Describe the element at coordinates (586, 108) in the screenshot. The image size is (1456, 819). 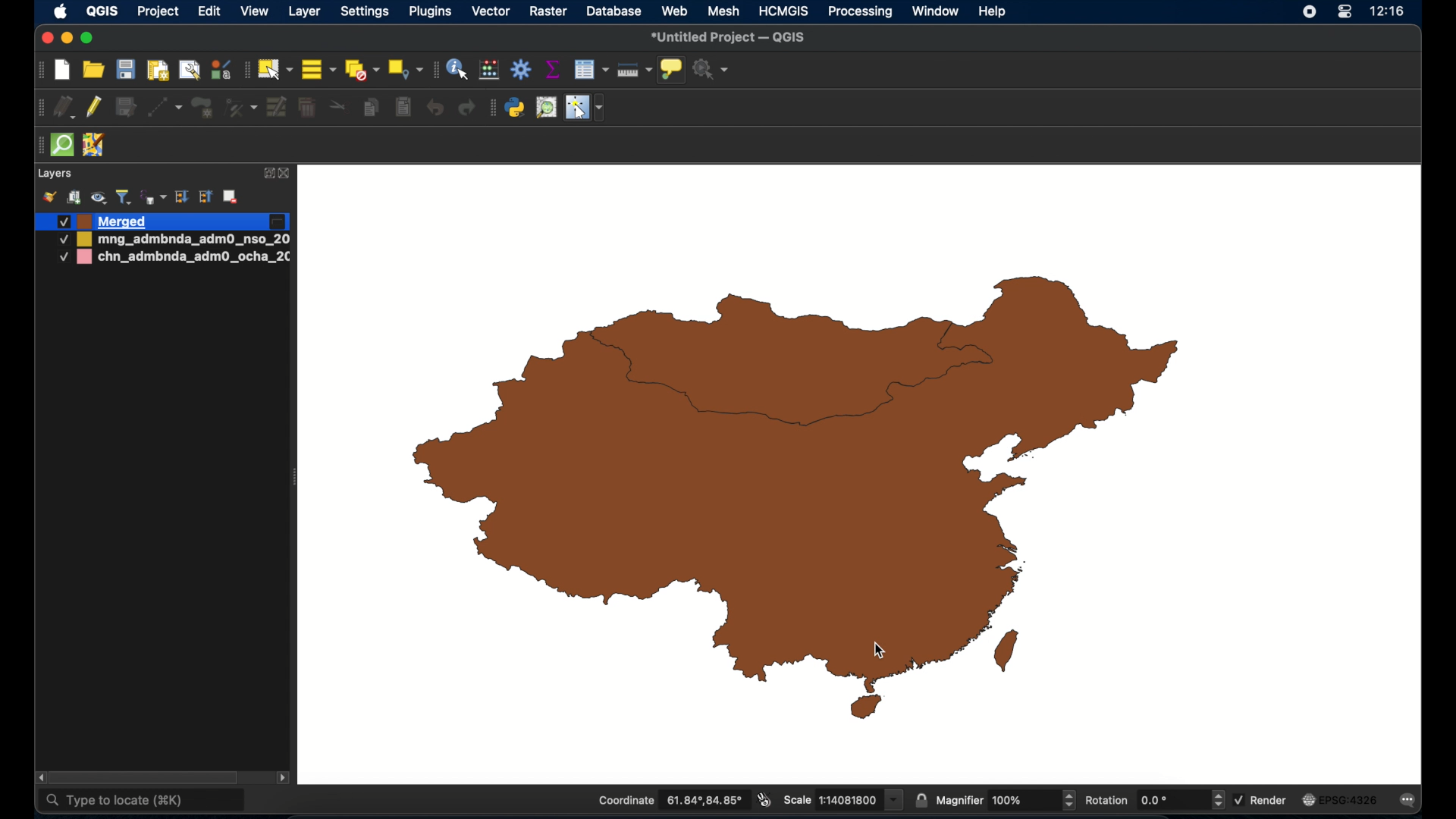
I see `switches mouse to configurable pointer` at that location.